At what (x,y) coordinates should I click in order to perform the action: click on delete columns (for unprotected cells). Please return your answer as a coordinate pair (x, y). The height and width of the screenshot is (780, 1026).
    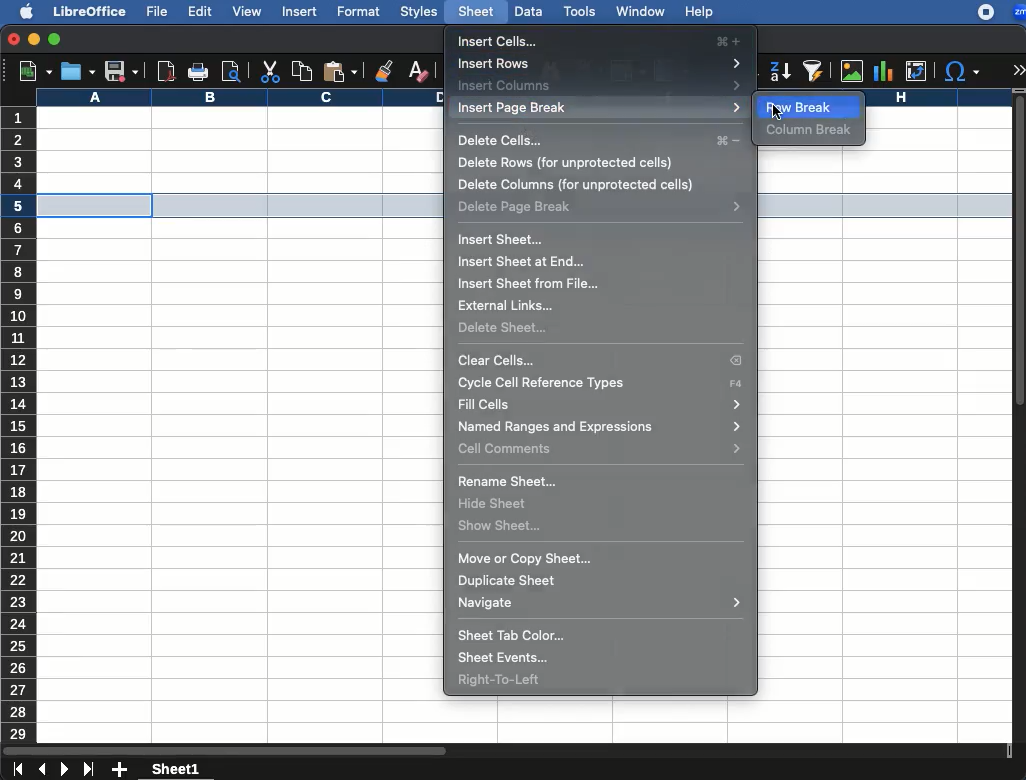
    Looking at the image, I should click on (576, 186).